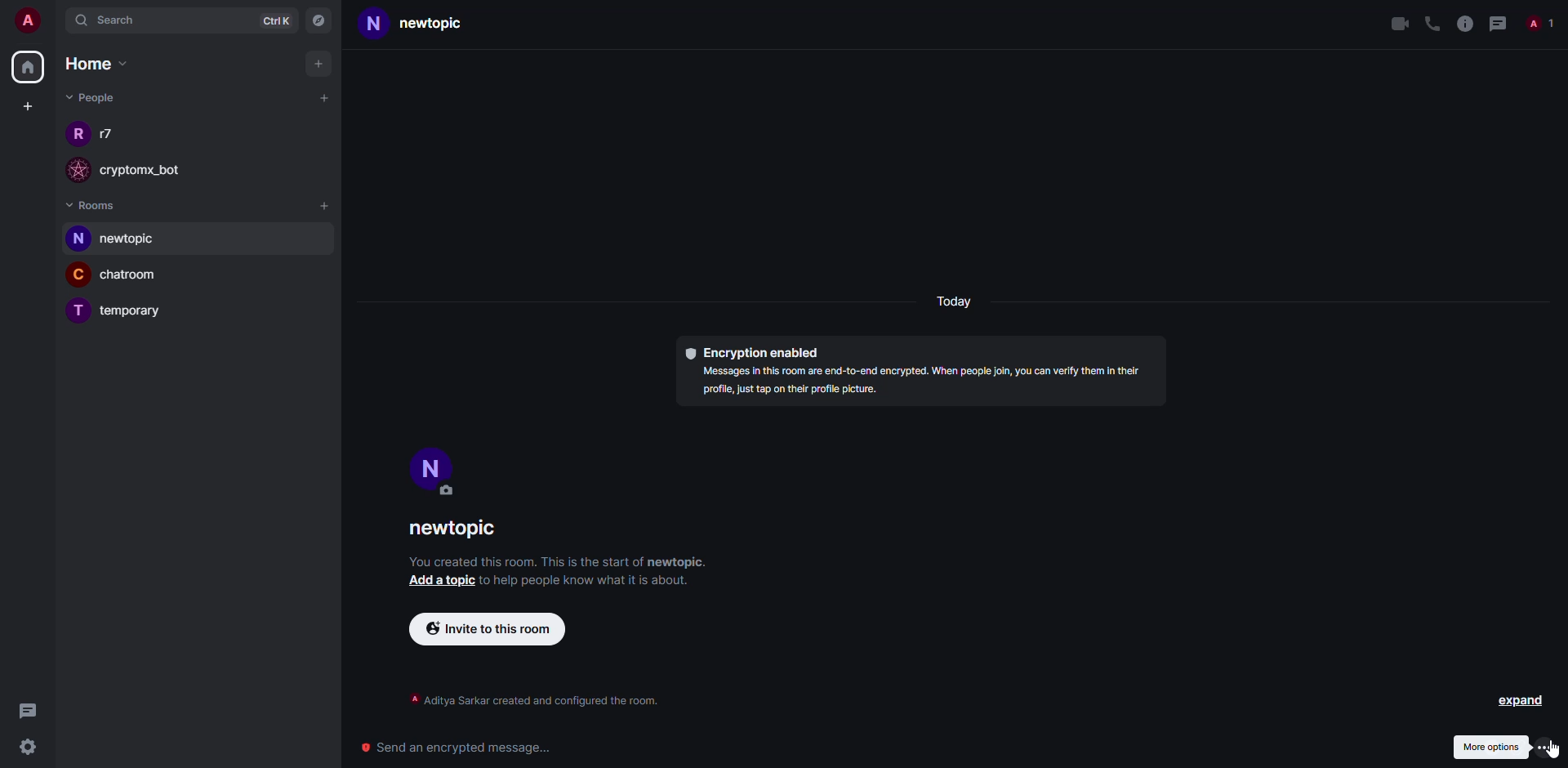 The width and height of the screenshot is (1568, 768). I want to click on info, so click(590, 583).